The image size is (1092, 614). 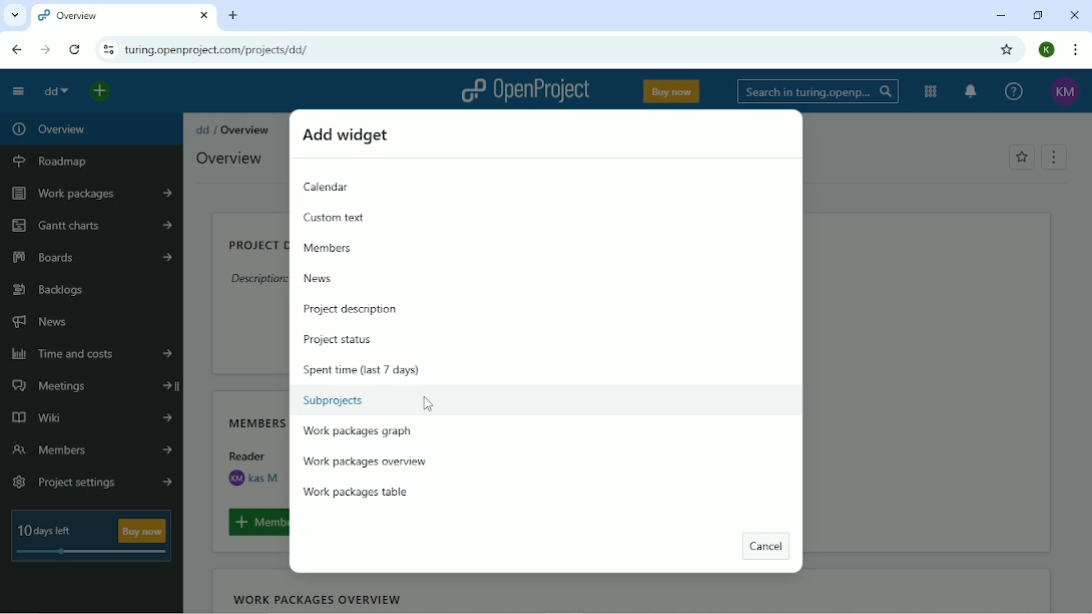 What do you see at coordinates (1021, 158) in the screenshot?
I see `Add to favorites` at bounding box center [1021, 158].